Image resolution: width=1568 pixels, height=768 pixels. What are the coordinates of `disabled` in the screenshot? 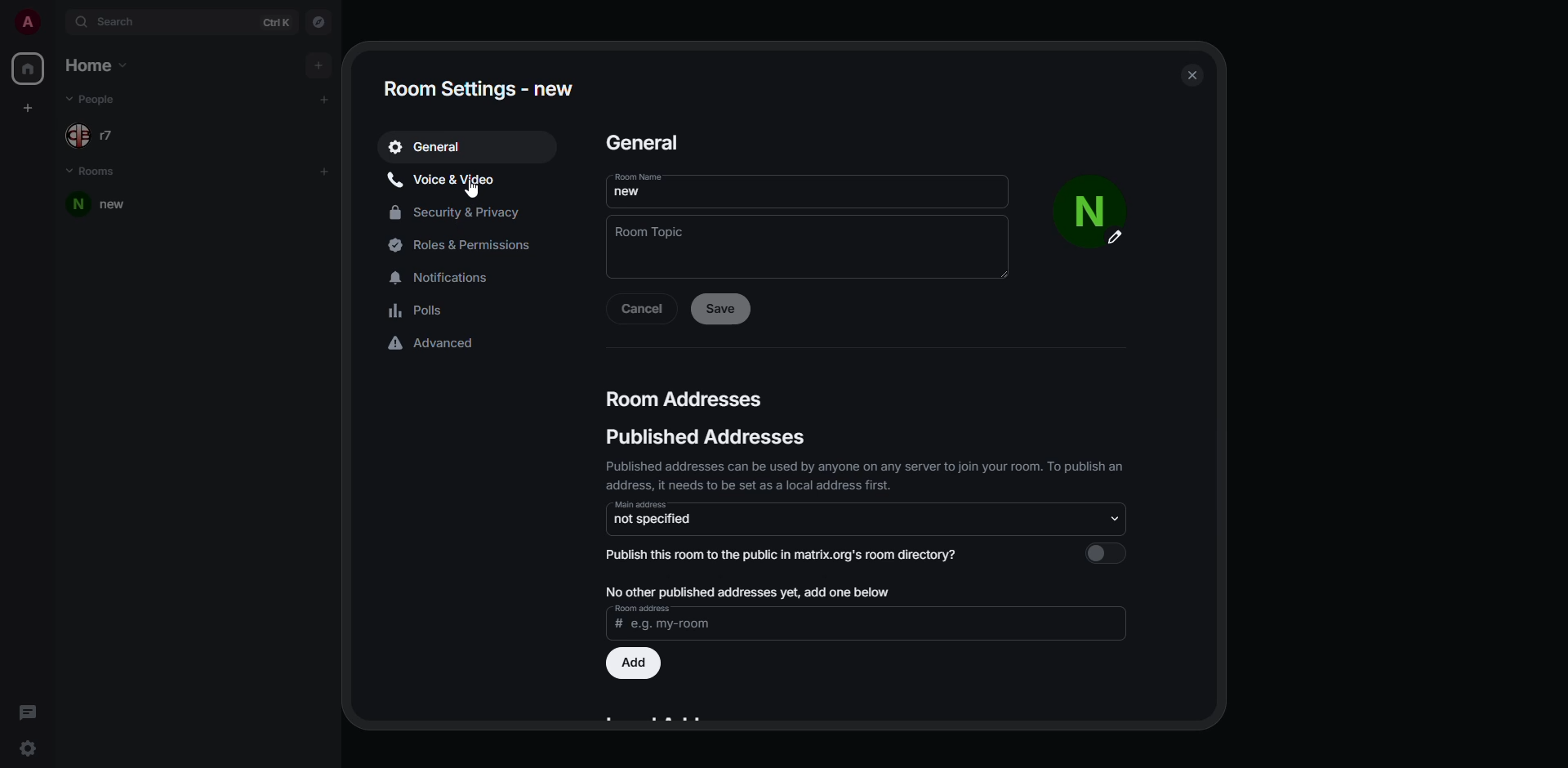 It's located at (1105, 553).